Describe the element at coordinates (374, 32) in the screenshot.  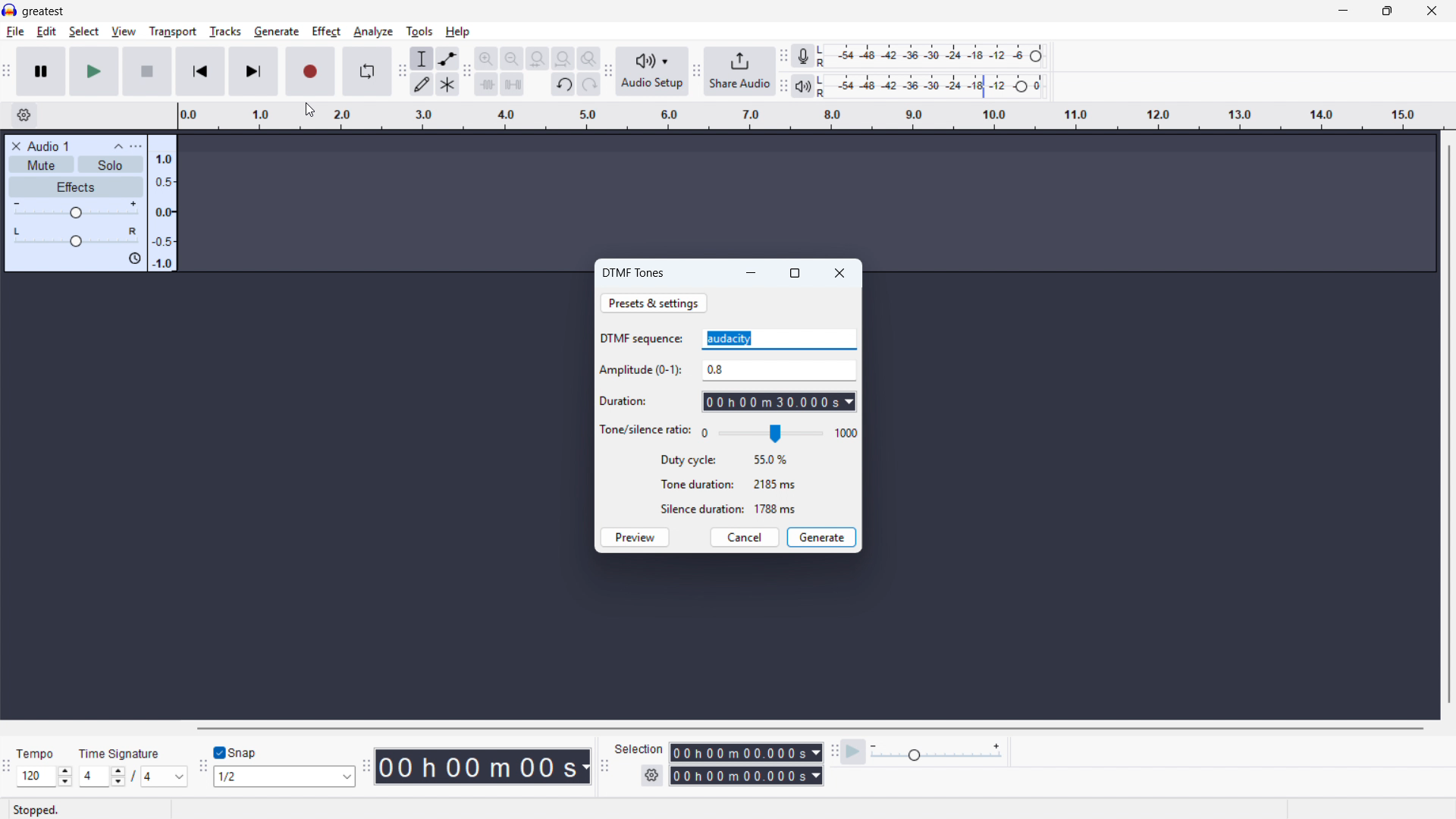
I see `analyse` at that location.